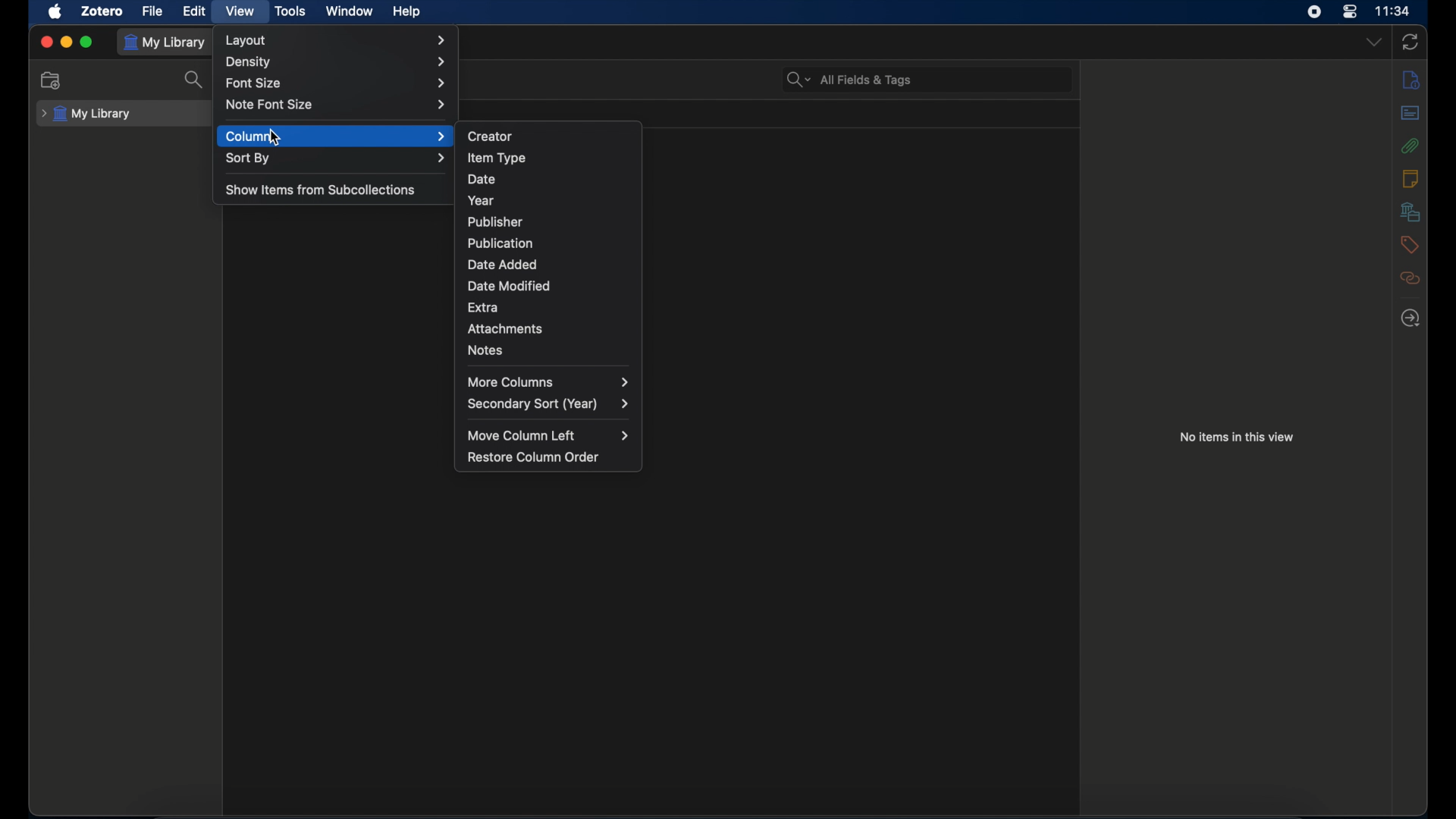 Image resolution: width=1456 pixels, height=819 pixels. I want to click on date added, so click(504, 265).